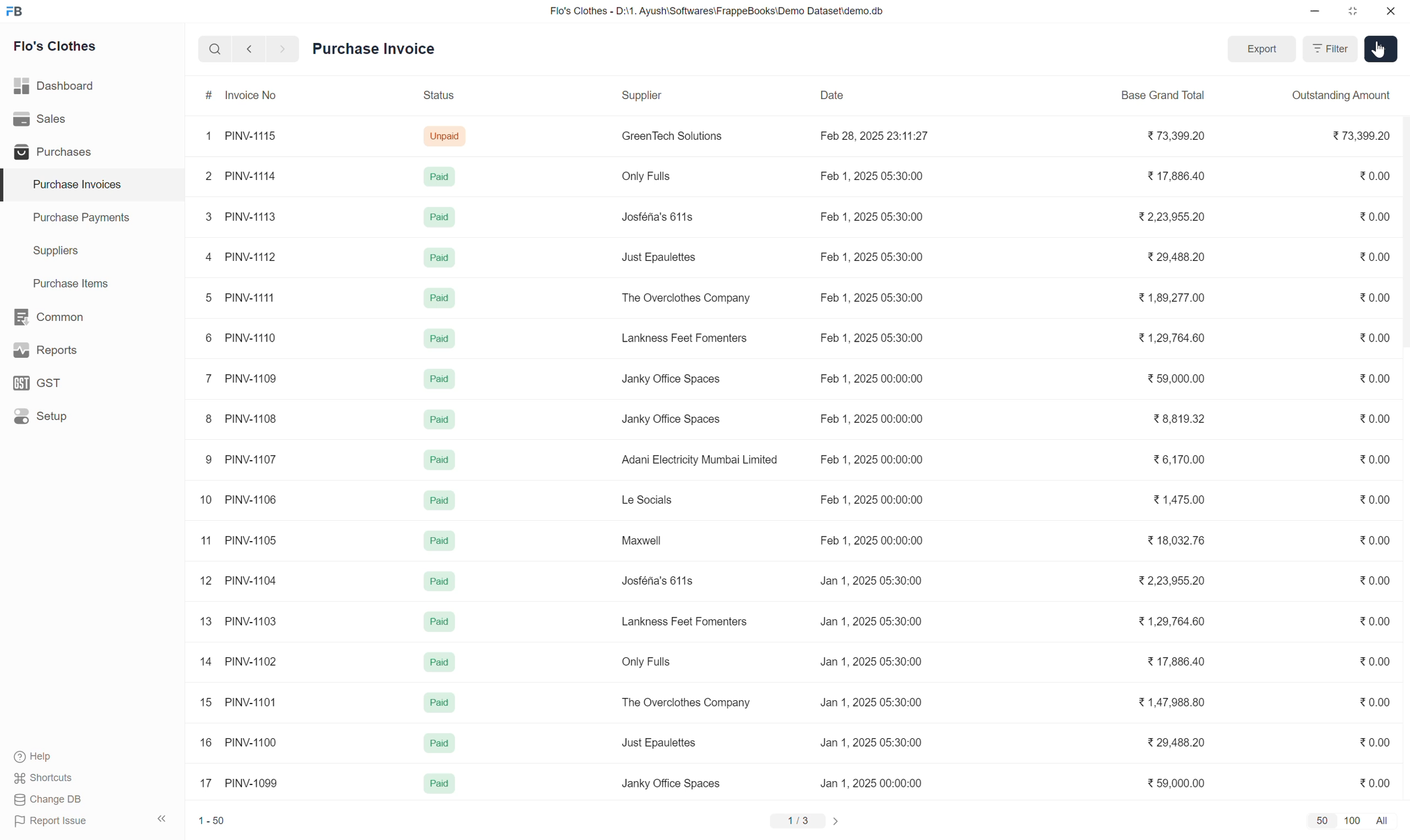 Image resolution: width=1410 pixels, height=840 pixels. I want to click on Feb 1, 2025 05:30:00, so click(875, 216).